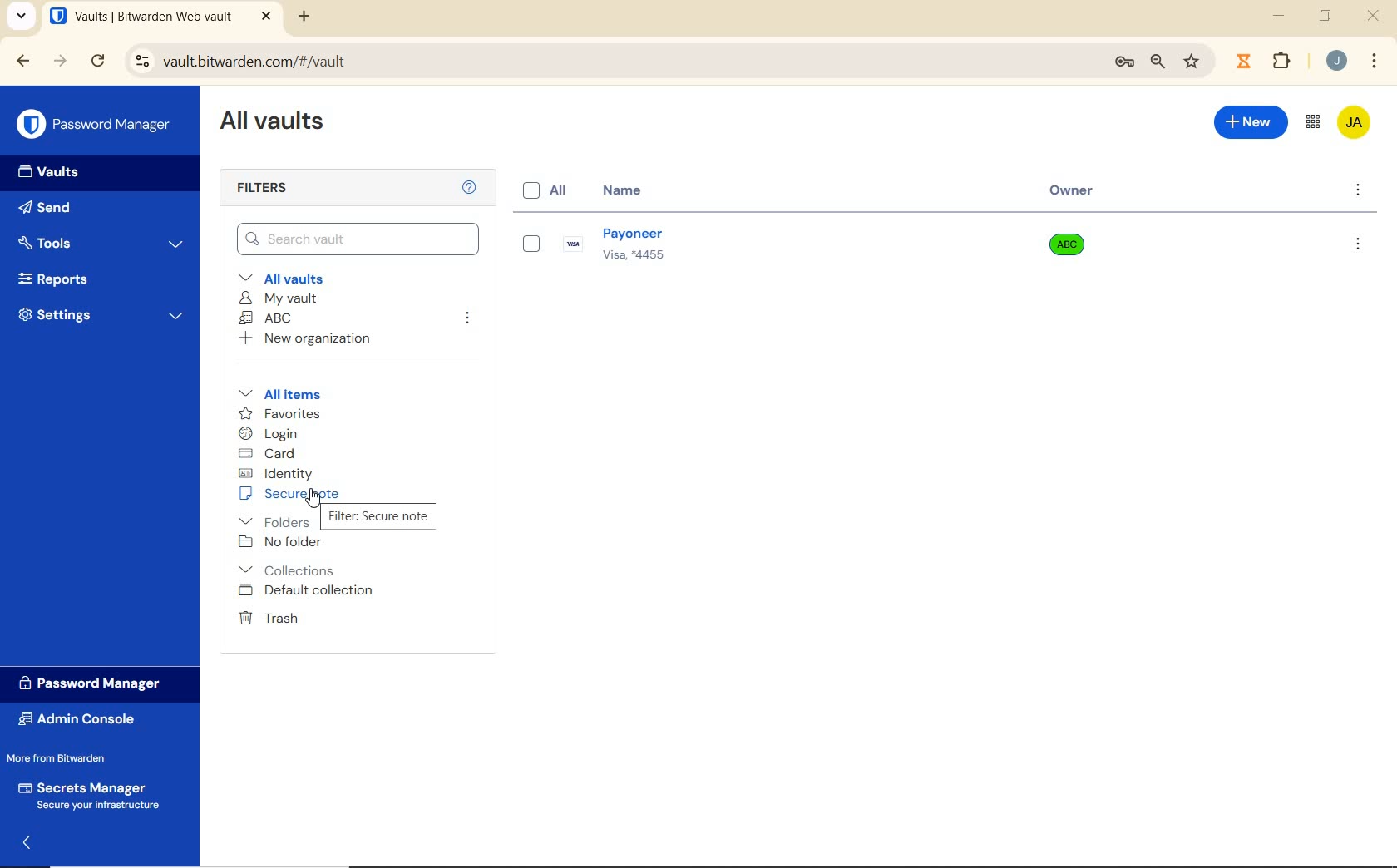 The image size is (1397, 868). What do you see at coordinates (306, 18) in the screenshot?
I see `new tab` at bounding box center [306, 18].